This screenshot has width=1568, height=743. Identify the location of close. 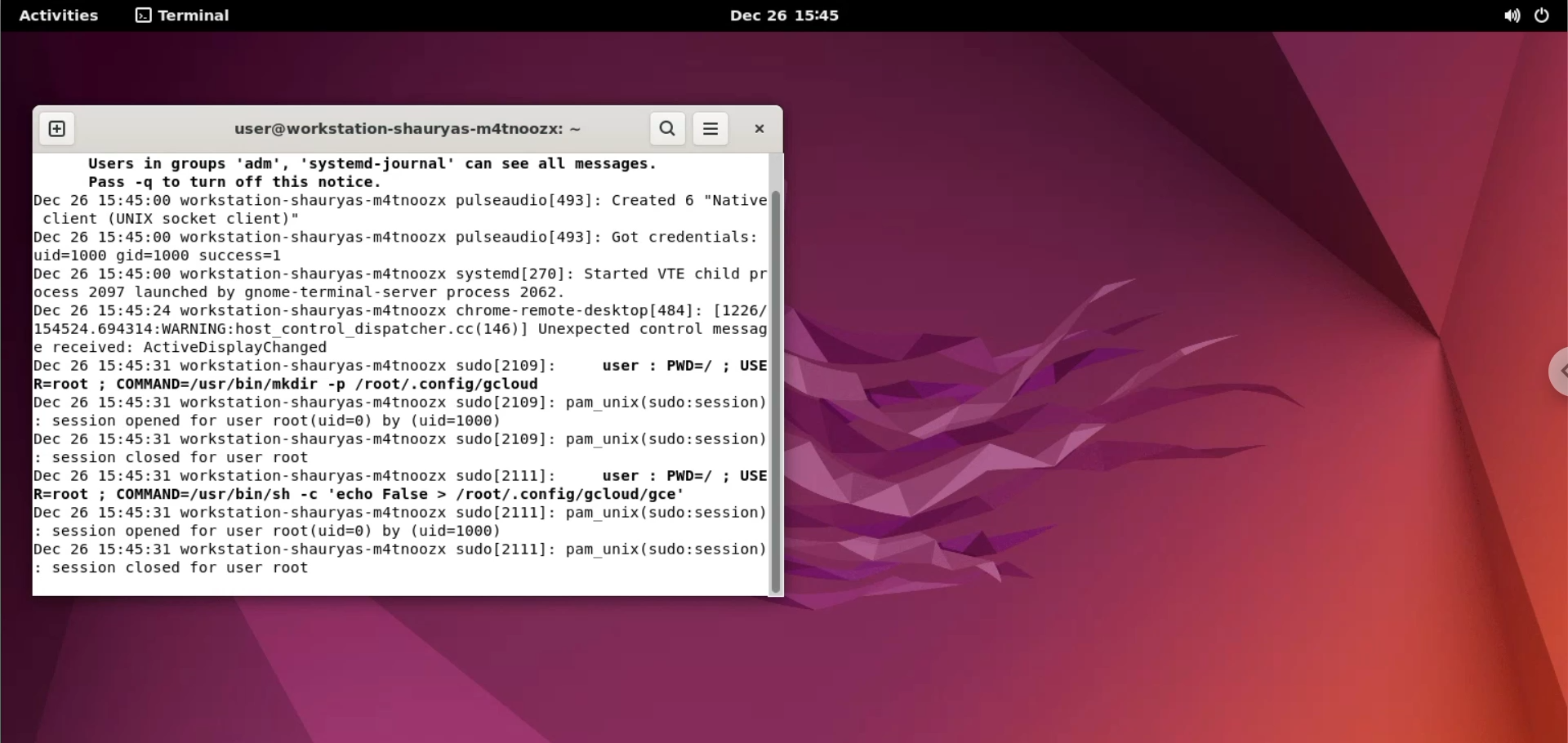
(758, 128).